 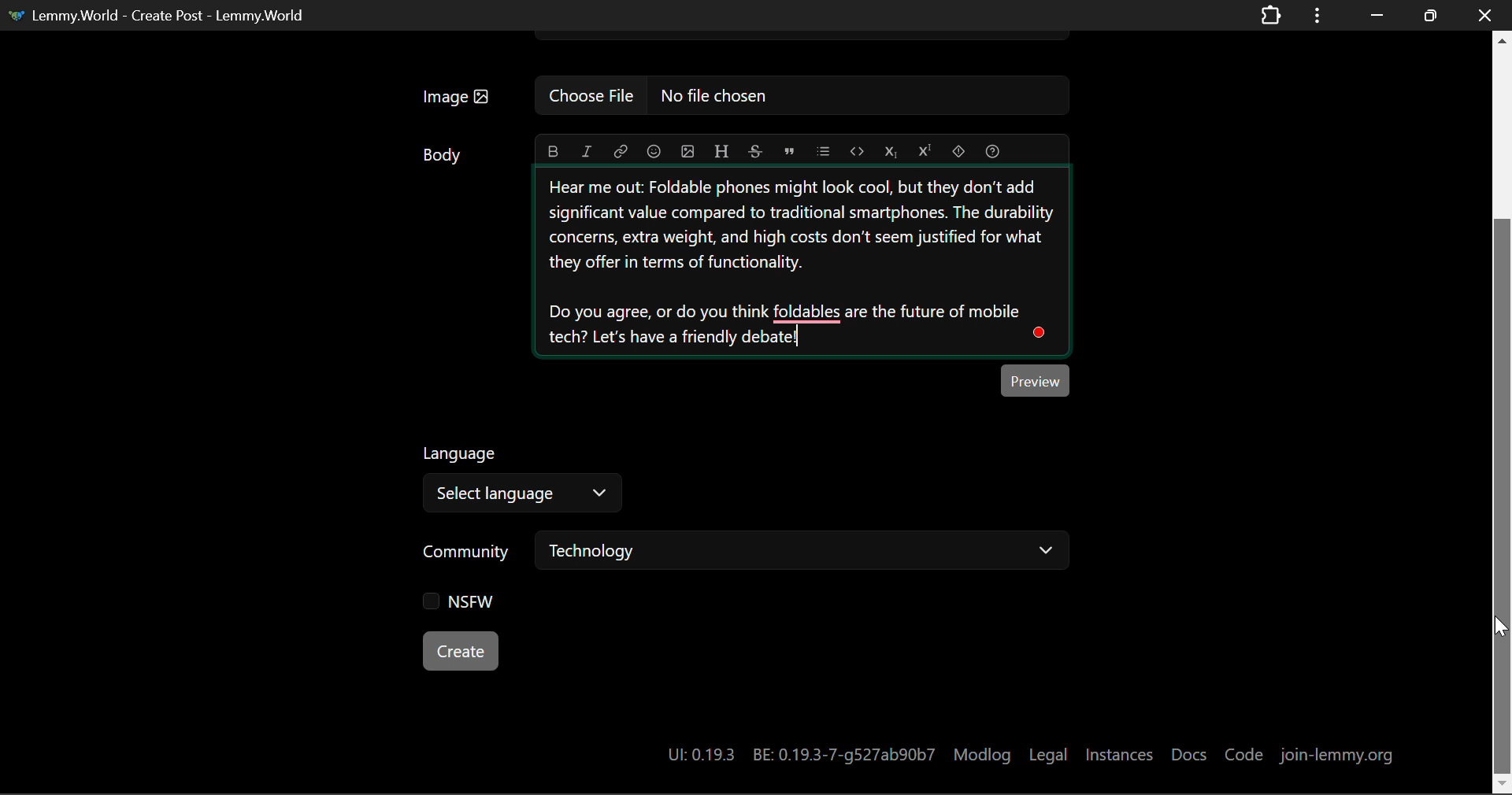 What do you see at coordinates (926, 152) in the screenshot?
I see `superscript` at bounding box center [926, 152].